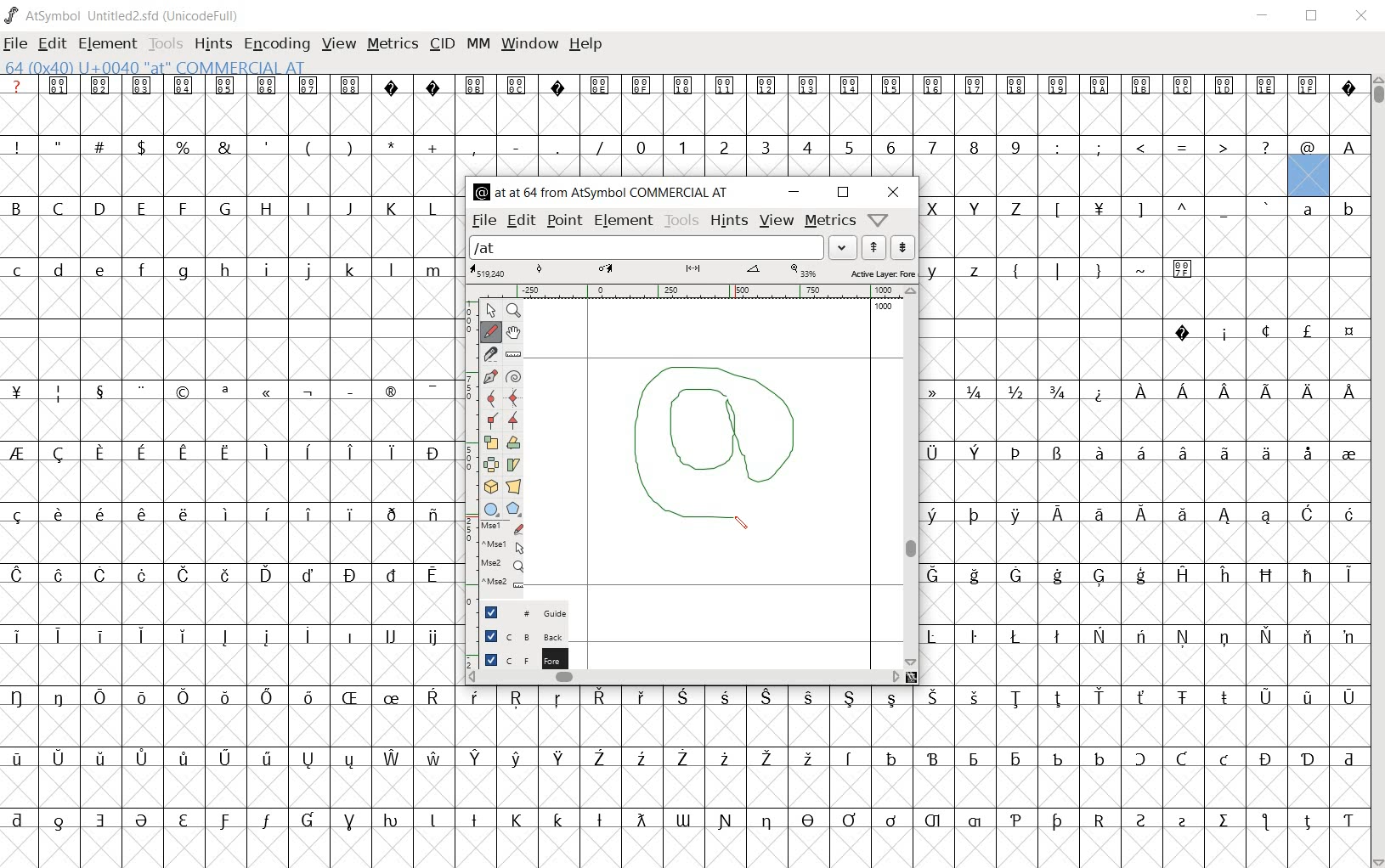 The width and height of the screenshot is (1385, 868). I want to click on HINTS, so click(212, 45).